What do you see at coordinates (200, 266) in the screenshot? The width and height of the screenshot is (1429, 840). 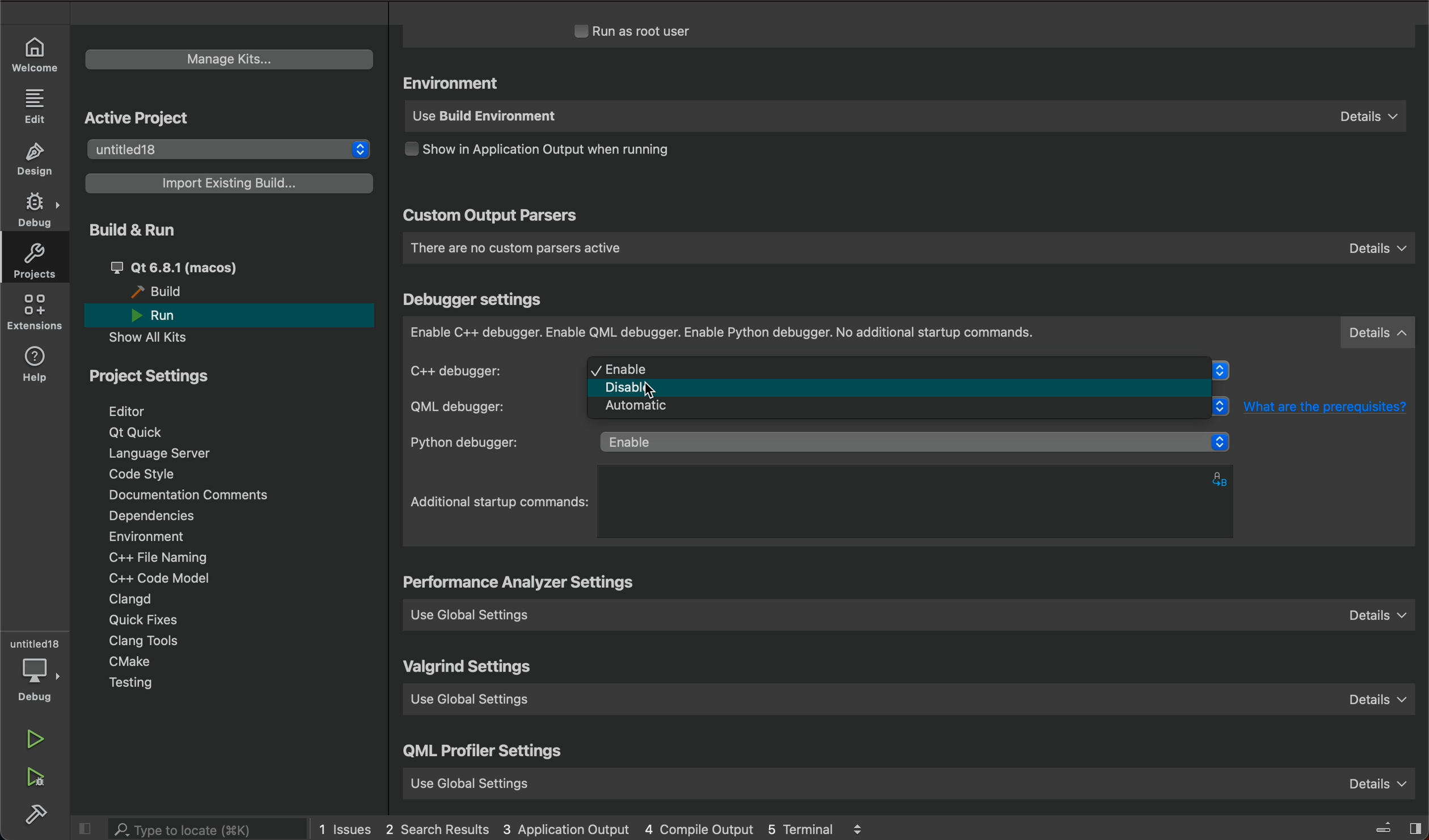 I see `qt` at bounding box center [200, 266].